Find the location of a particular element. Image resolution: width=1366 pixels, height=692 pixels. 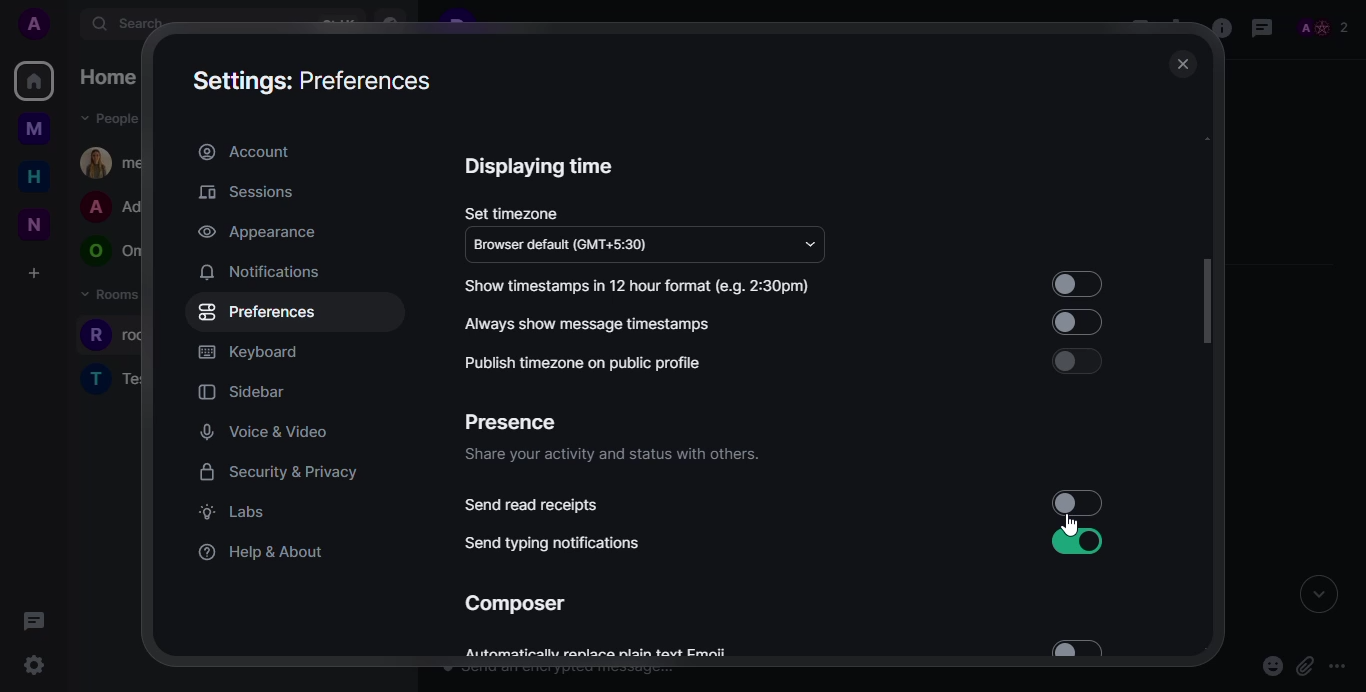

drop down is located at coordinates (810, 243).